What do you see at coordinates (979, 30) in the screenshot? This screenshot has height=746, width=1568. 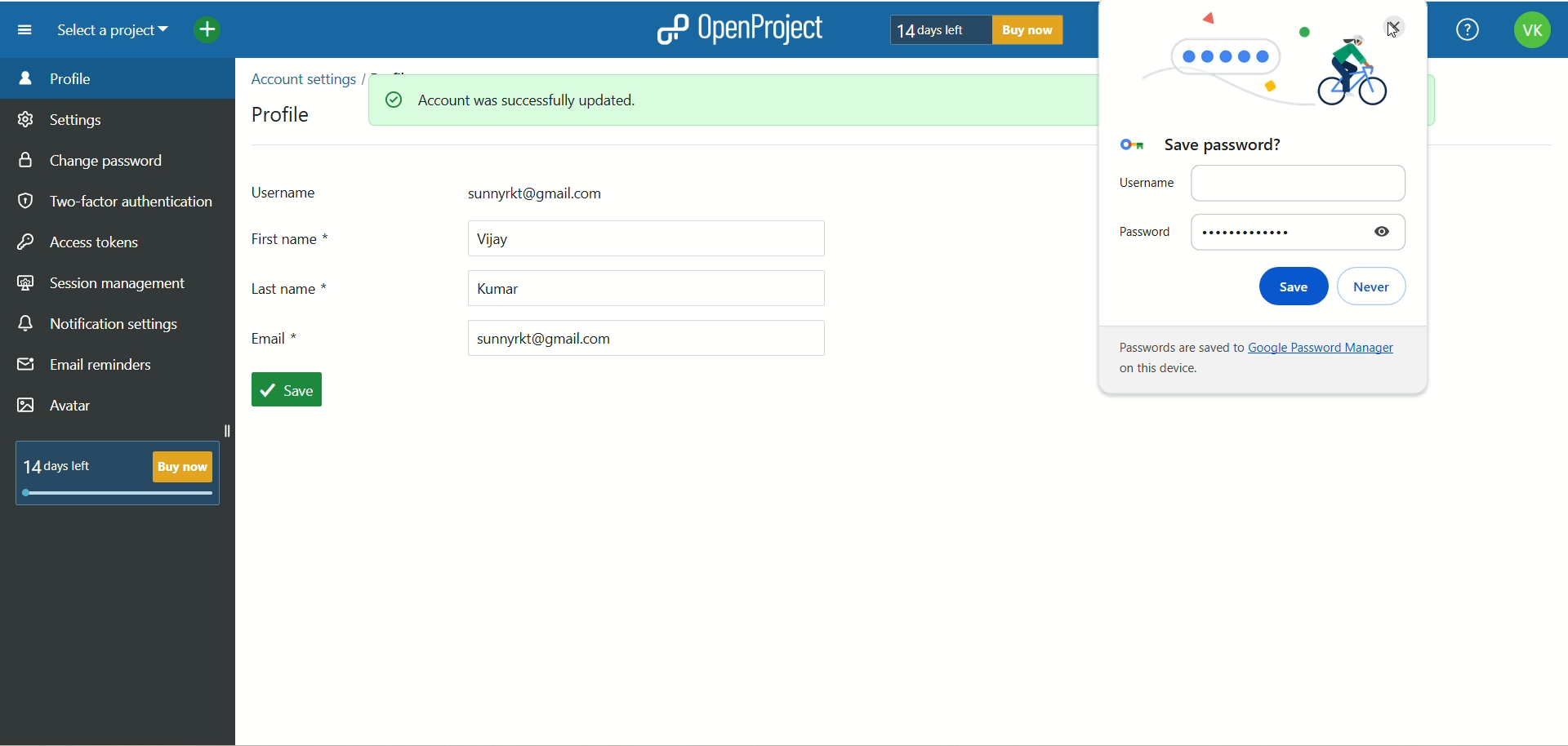 I see `text` at bounding box center [979, 30].